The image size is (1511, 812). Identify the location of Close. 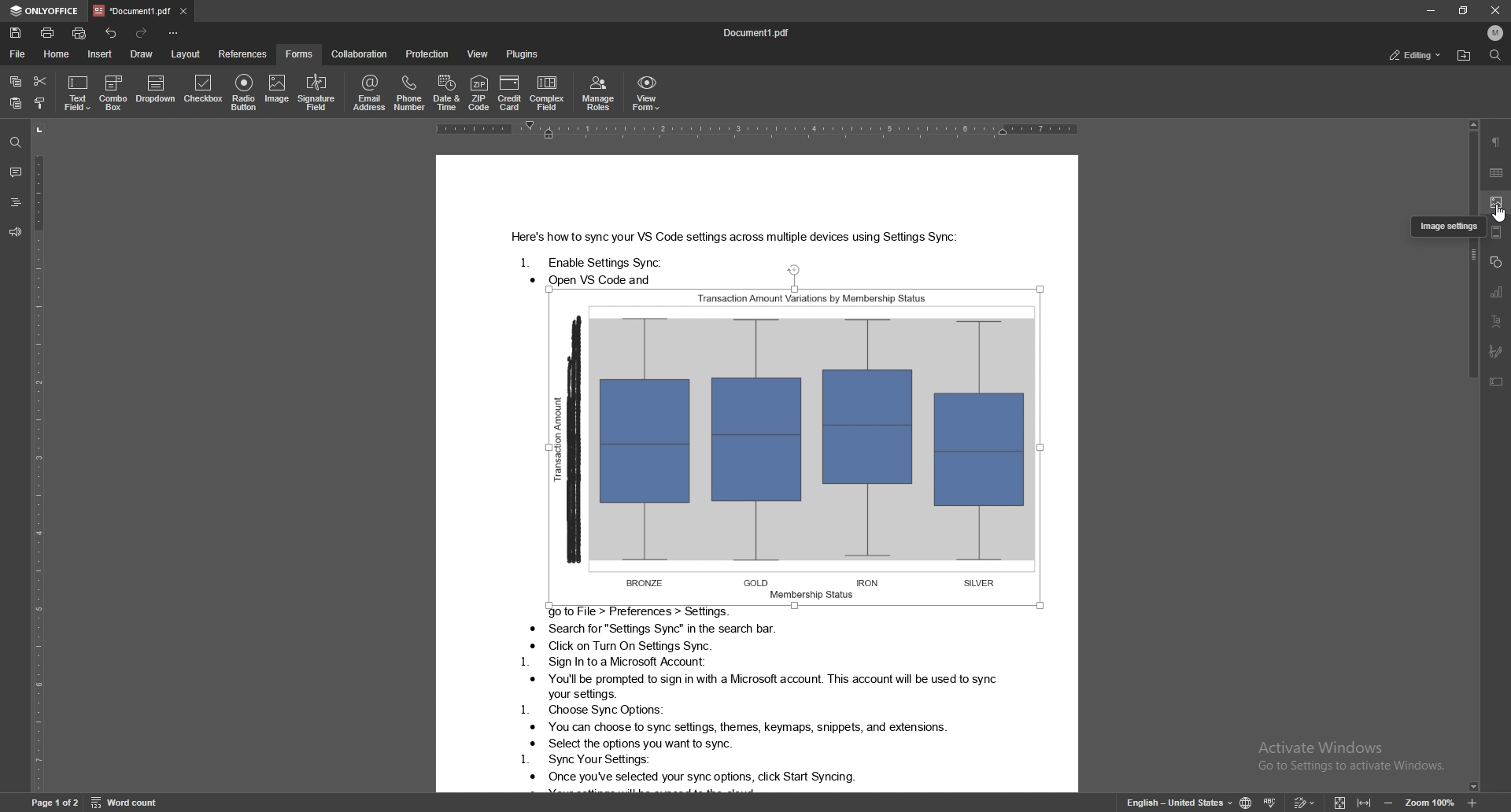
(1494, 9).